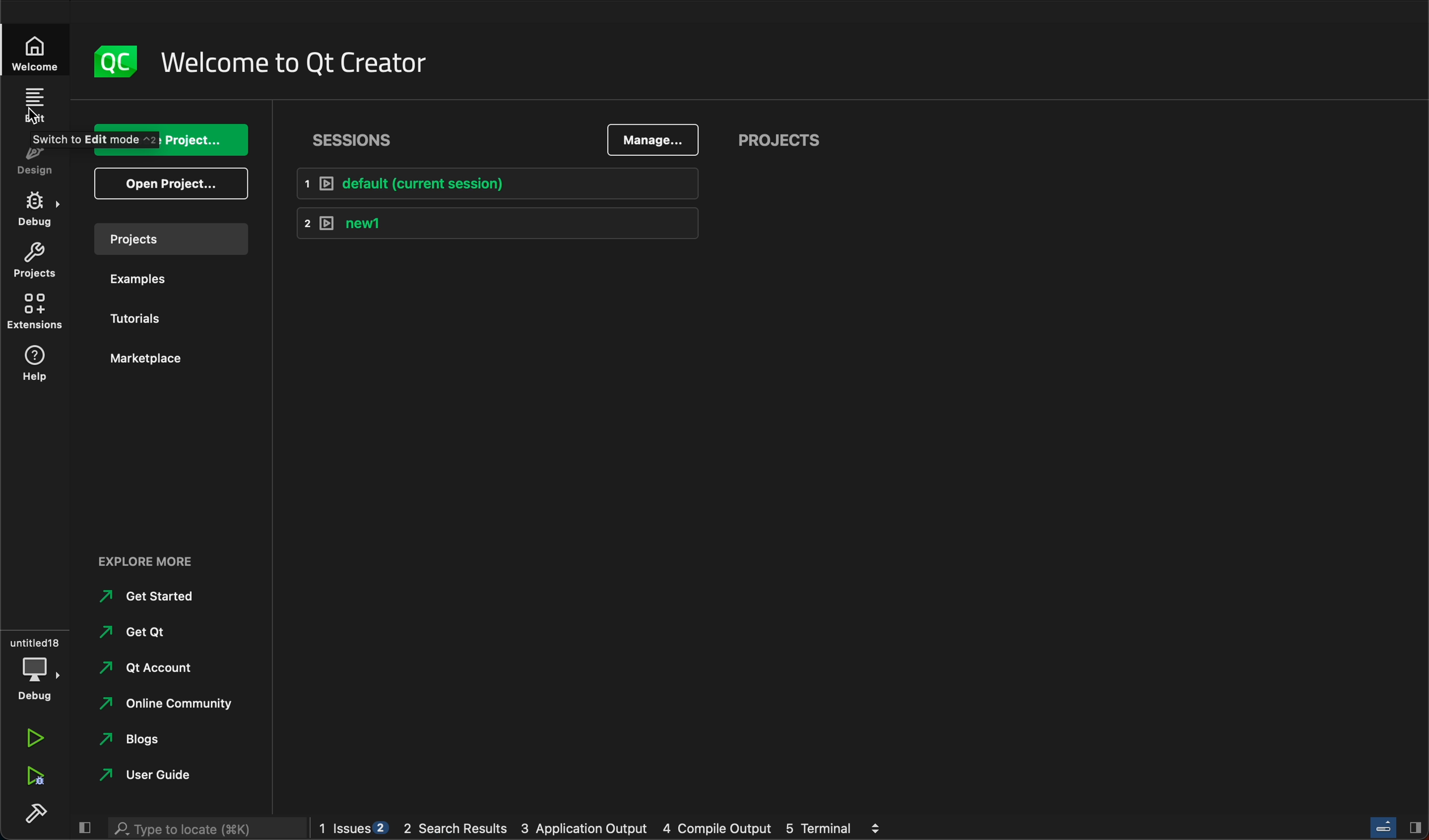  I want to click on logo, so click(110, 60).